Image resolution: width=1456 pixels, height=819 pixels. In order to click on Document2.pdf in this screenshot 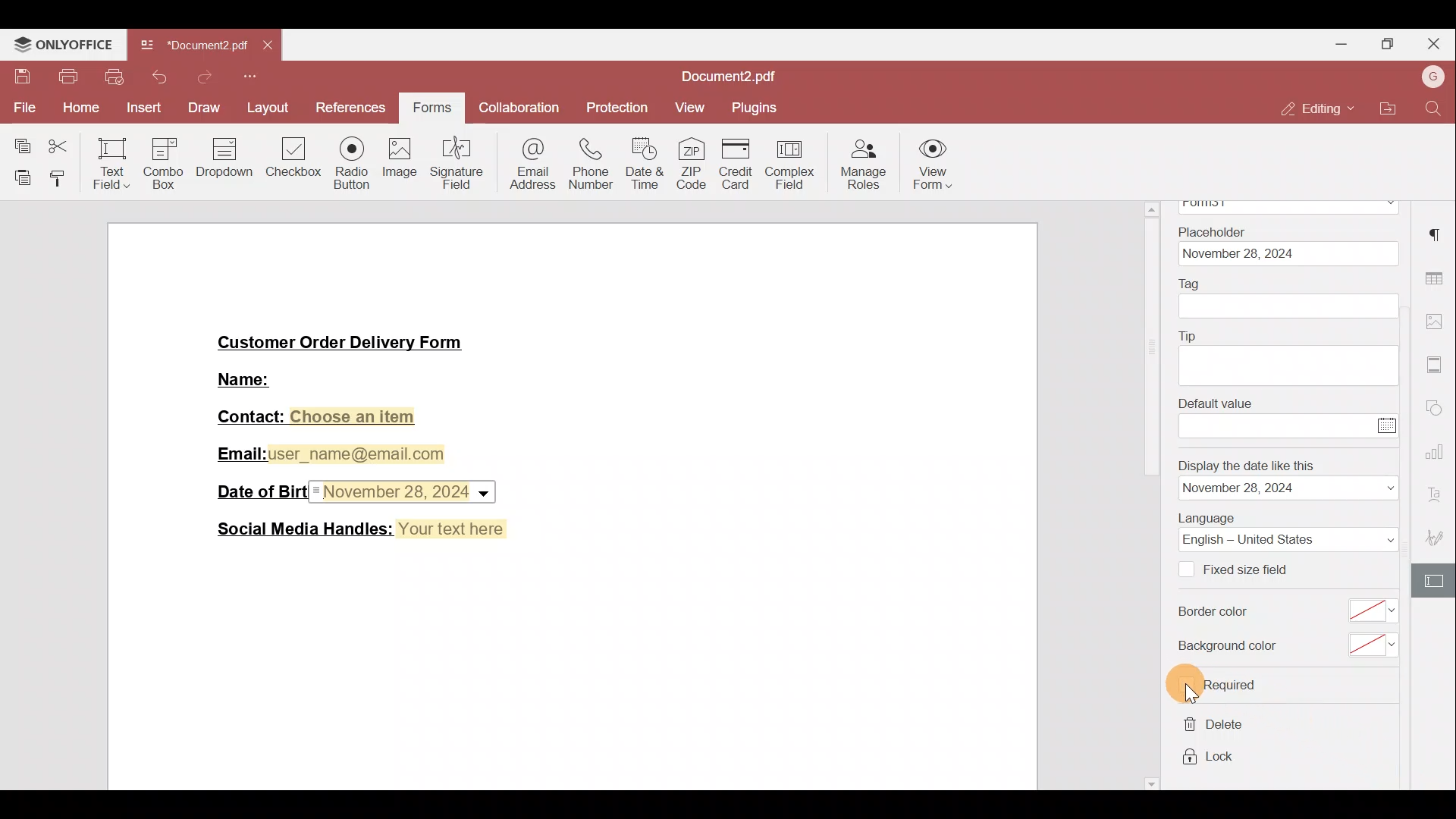, I will do `click(720, 77)`.